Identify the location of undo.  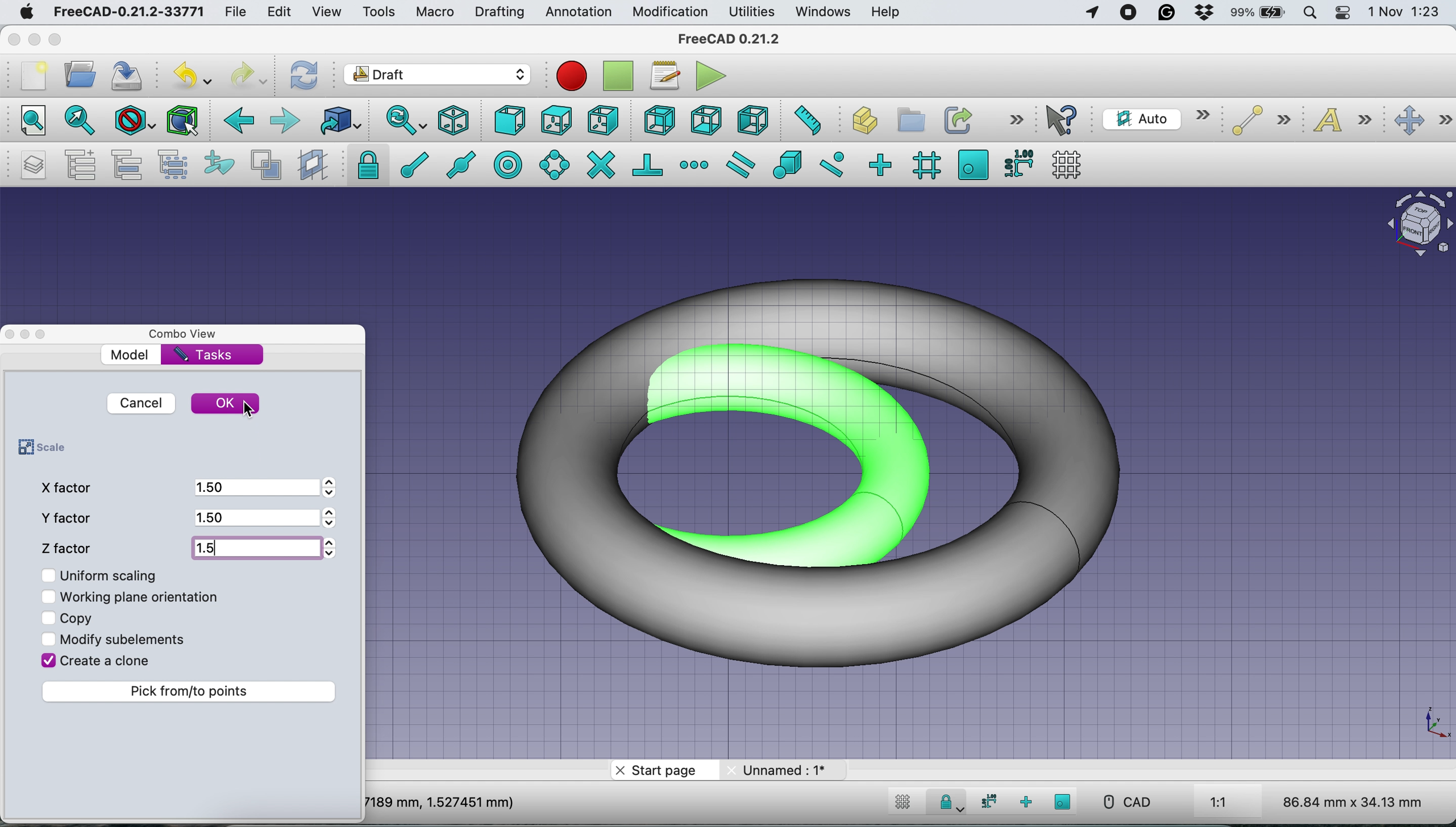
(192, 73).